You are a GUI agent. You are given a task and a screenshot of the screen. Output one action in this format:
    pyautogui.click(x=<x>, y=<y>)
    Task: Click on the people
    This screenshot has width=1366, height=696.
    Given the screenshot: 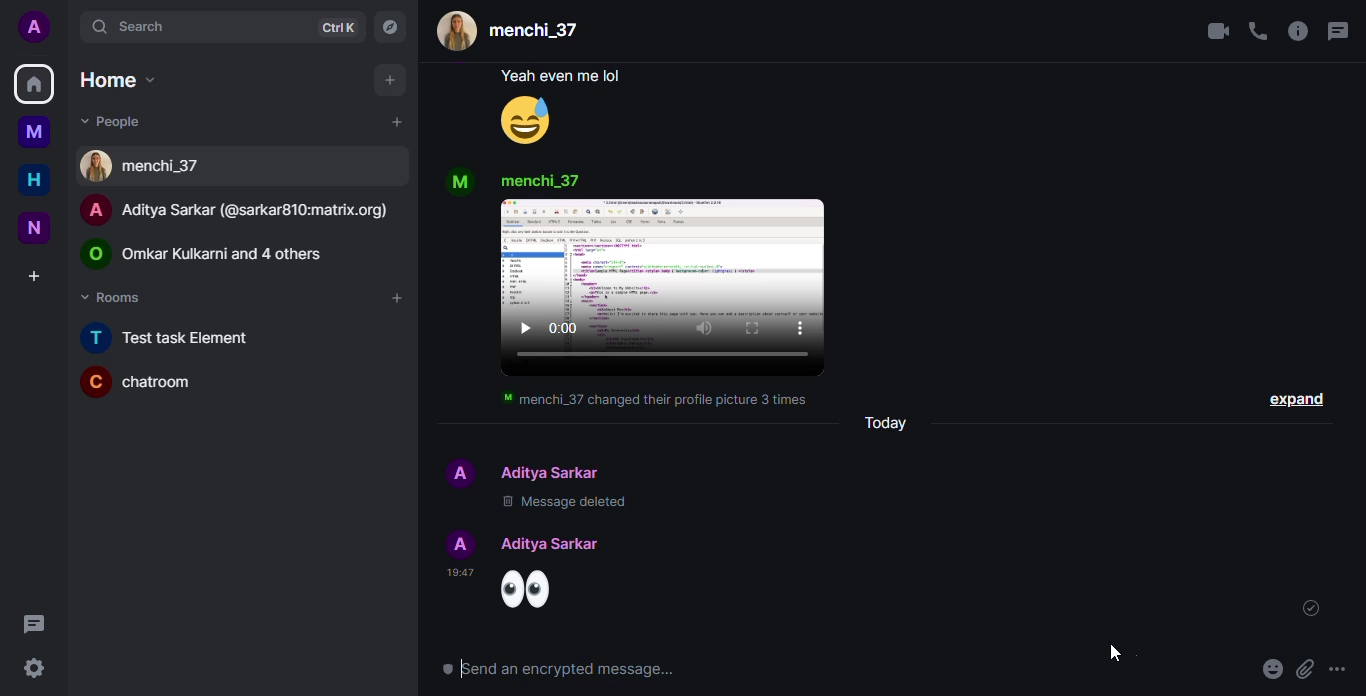 What is the action you would take?
    pyautogui.click(x=556, y=543)
    